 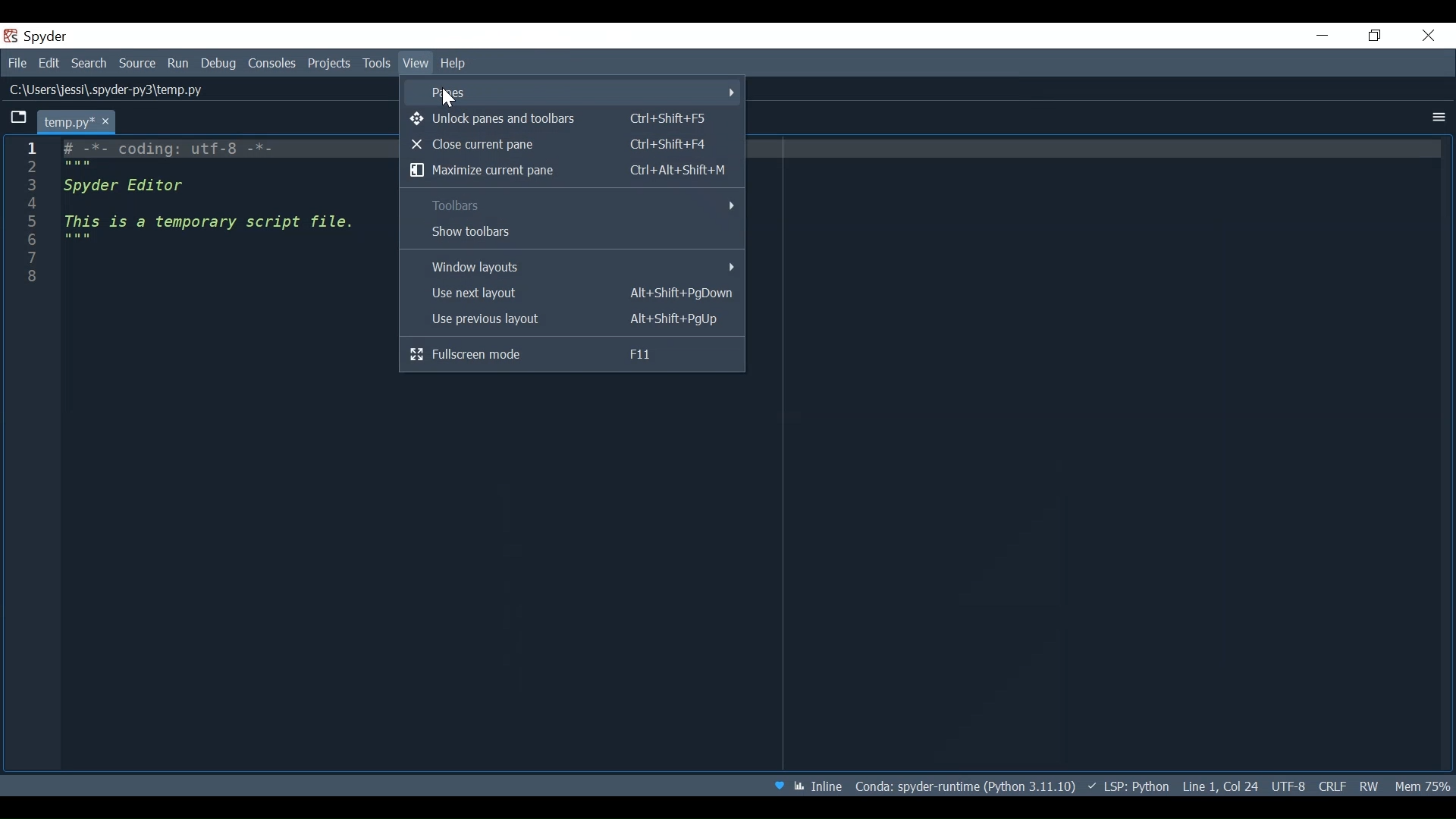 I want to click on File Permission, so click(x=1367, y=786).